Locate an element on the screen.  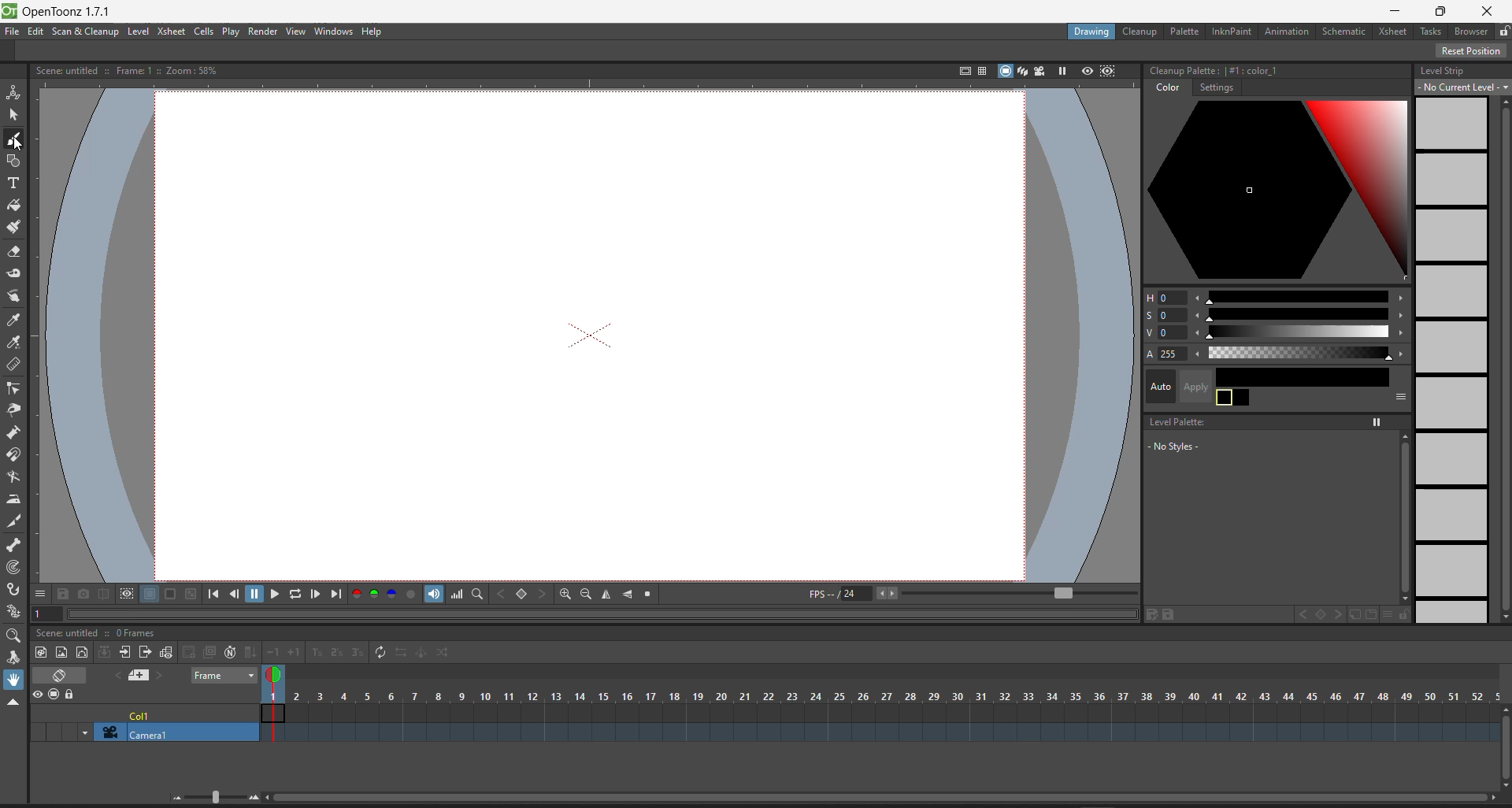
soundtrack is located at coordinates (434, 593).